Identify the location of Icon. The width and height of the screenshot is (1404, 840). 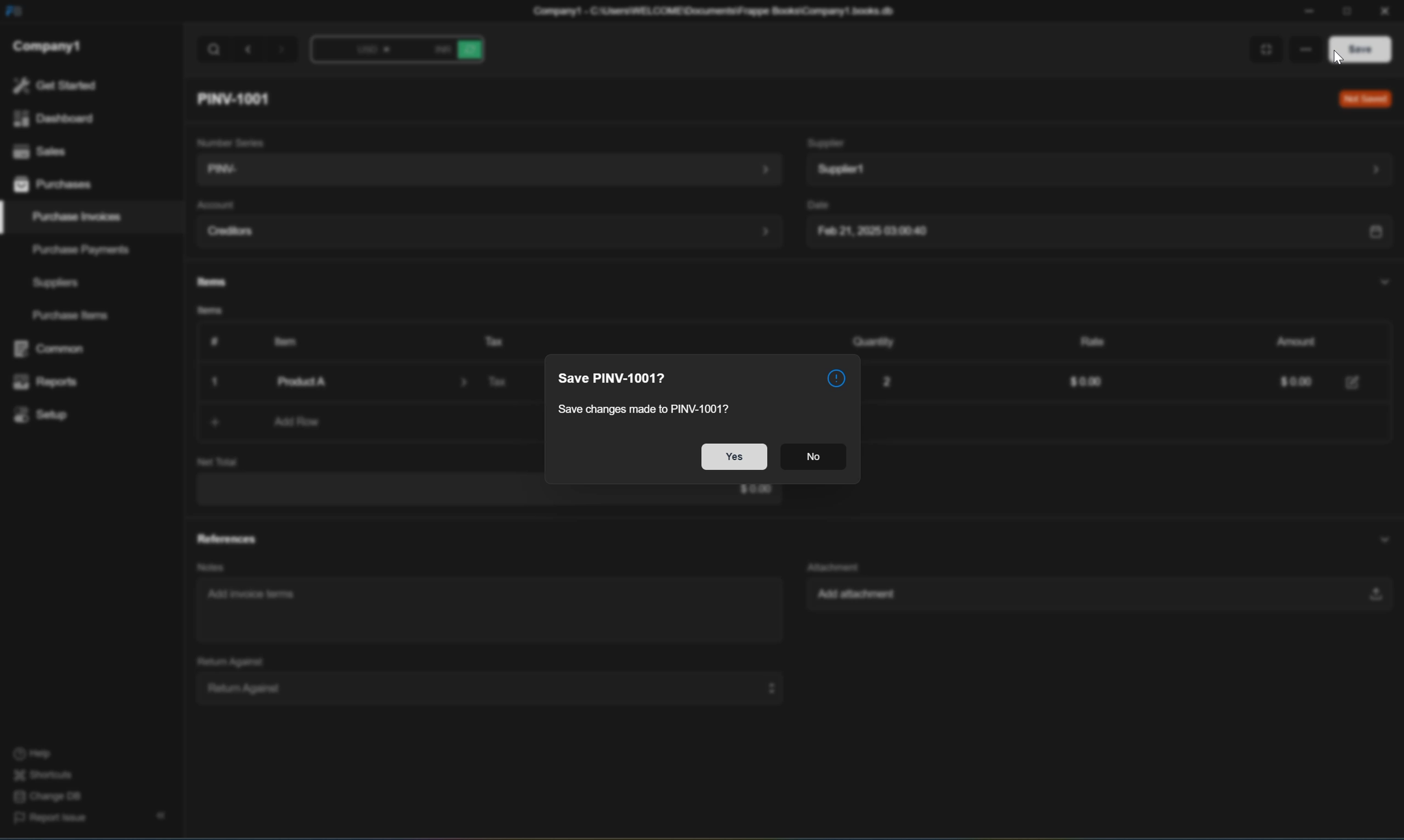
(836, 375).